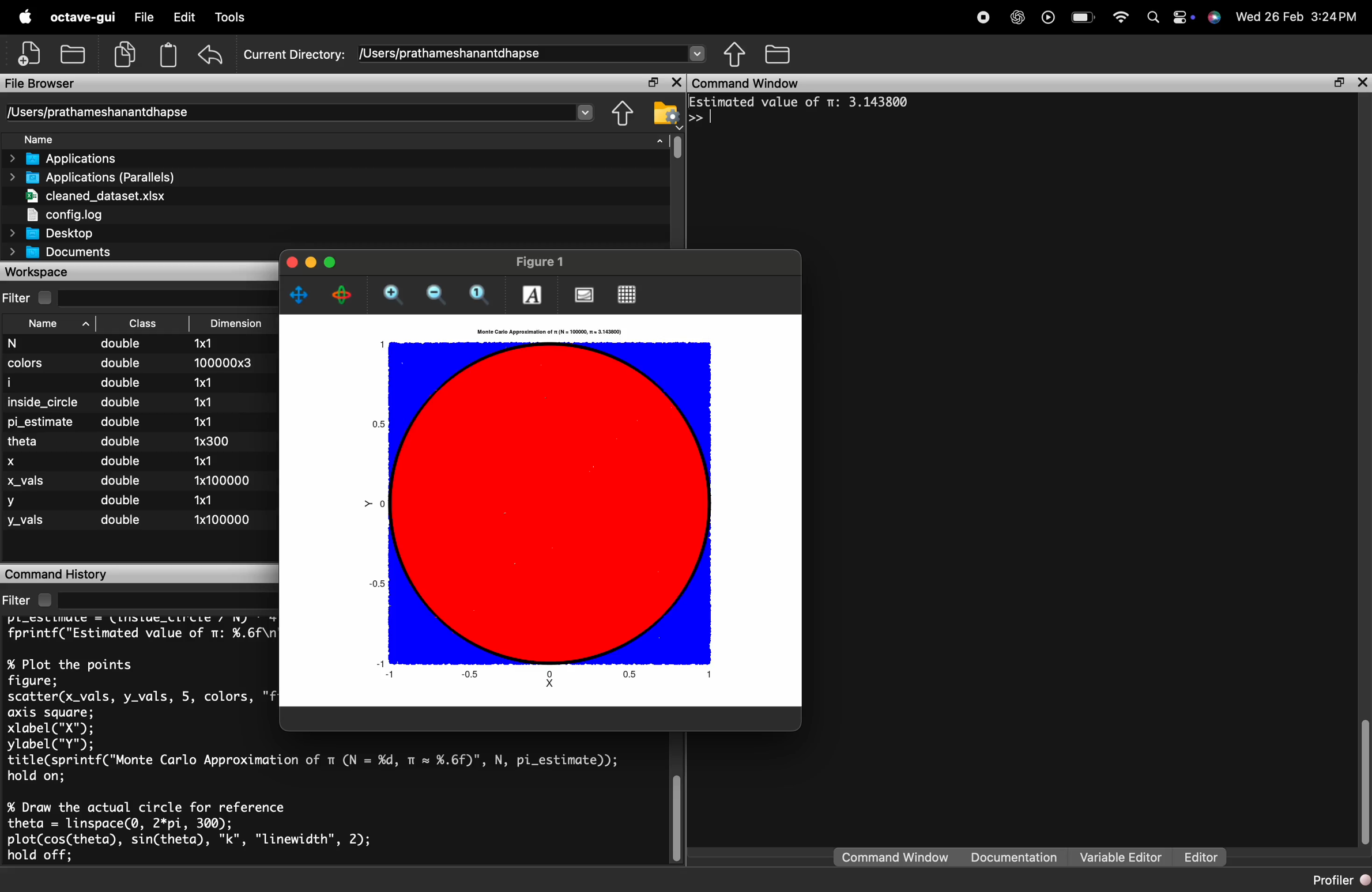 This screenshot has height=892, width=1372. I want to click on Documentation, so click(1017, 857).